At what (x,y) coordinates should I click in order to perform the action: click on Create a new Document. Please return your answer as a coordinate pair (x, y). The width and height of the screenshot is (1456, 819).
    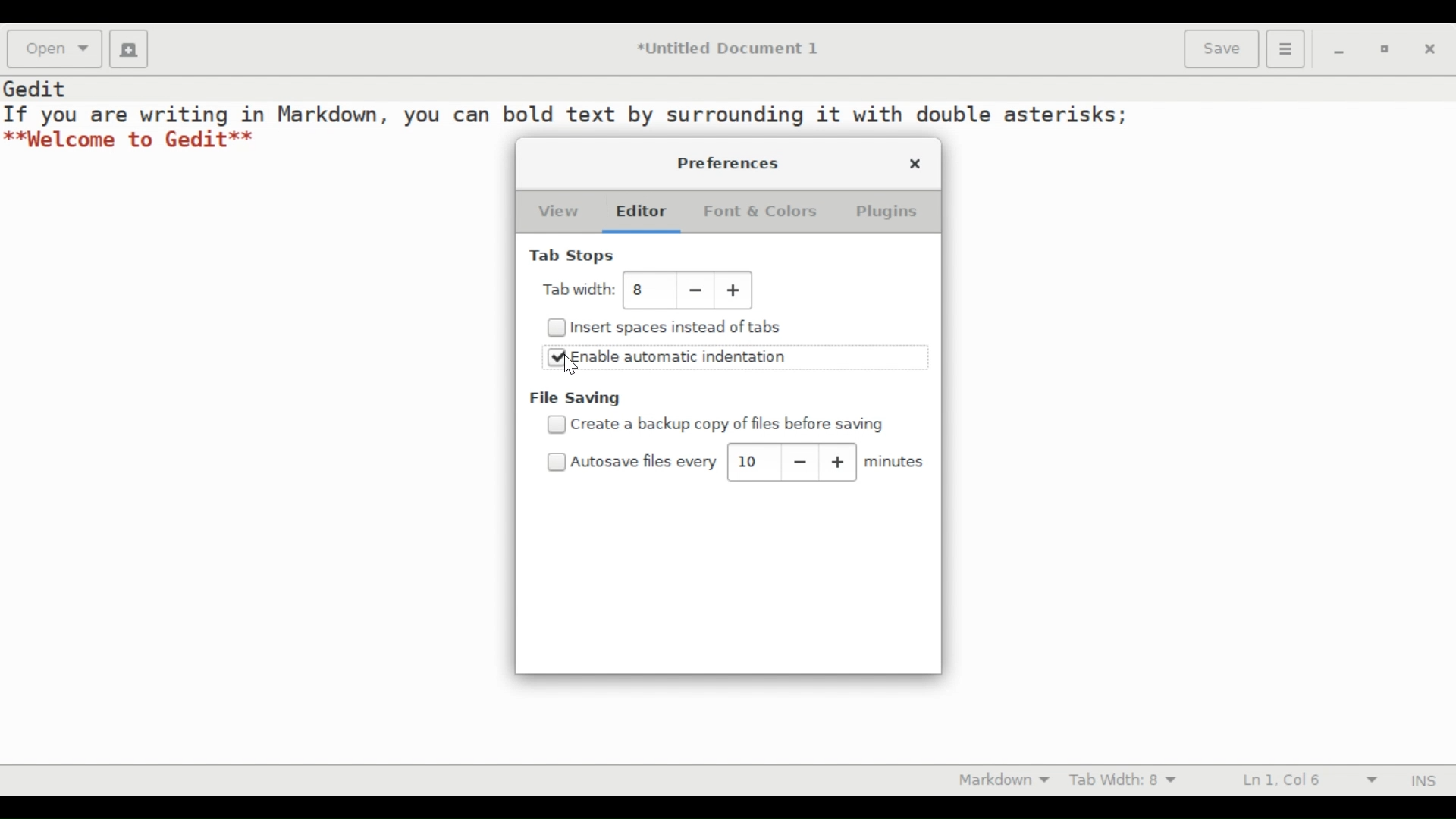
    Looking at the image, I should click on (129, 49).